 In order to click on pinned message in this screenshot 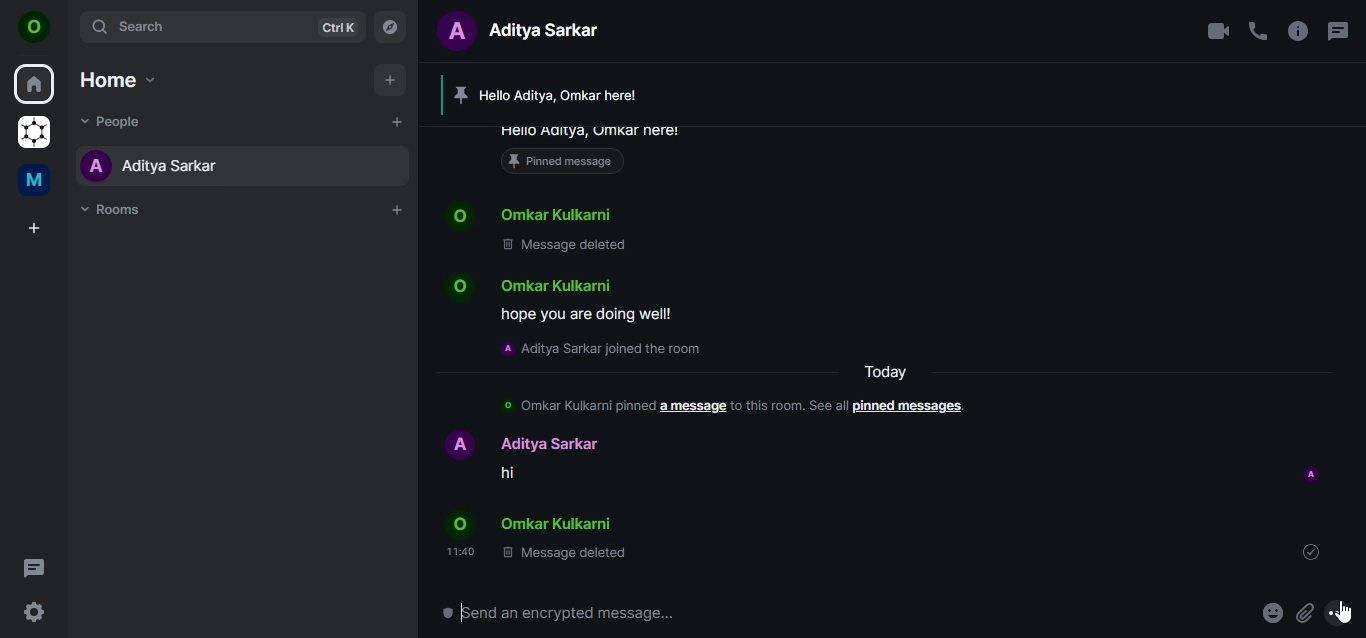, I will do `click(593, 148)`.